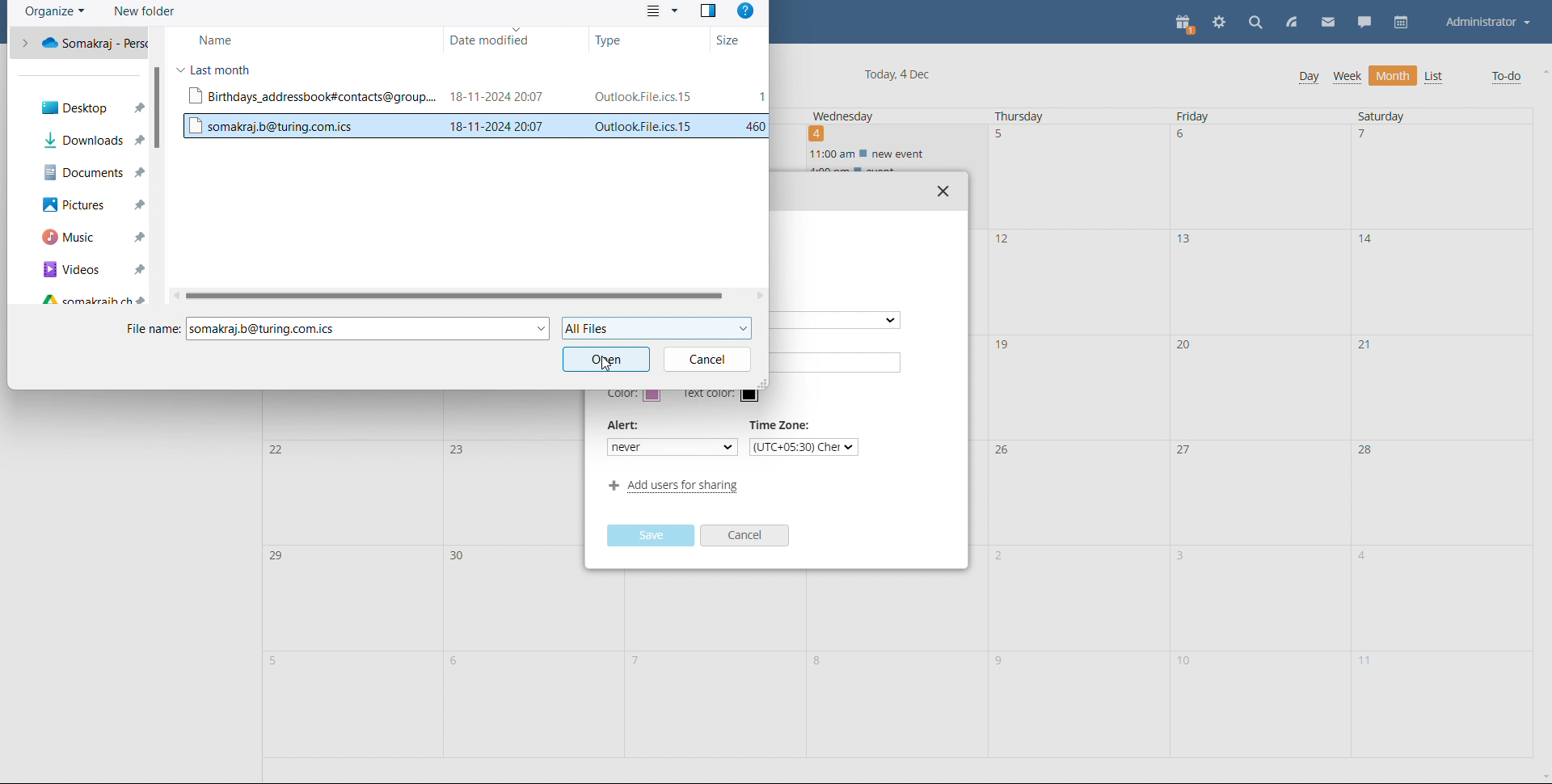  I want to click on music, so click(88, 238).